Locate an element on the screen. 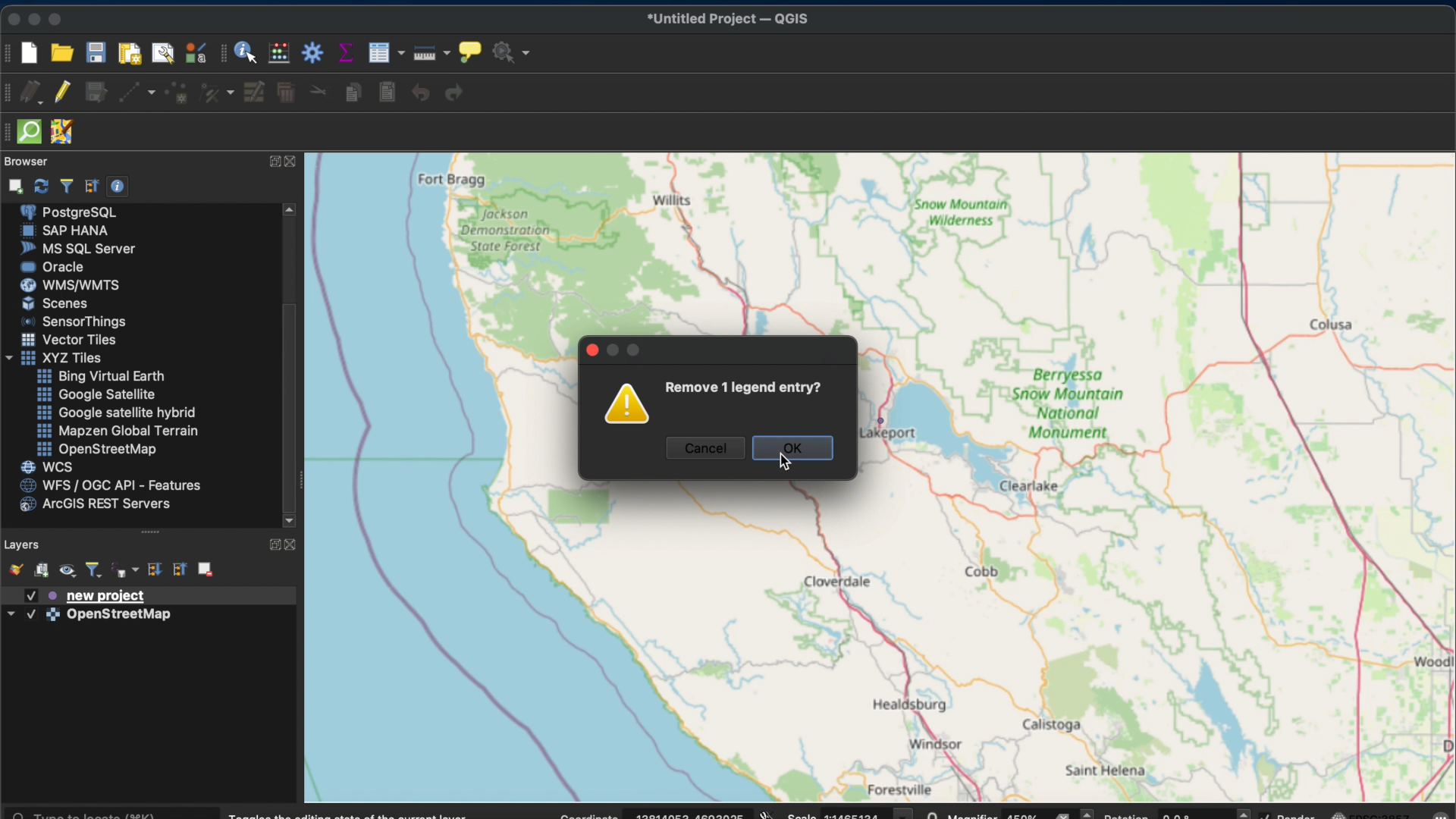 This screenshot has width=1456, height=819. show. map tips is located at coordinates (468, 51).